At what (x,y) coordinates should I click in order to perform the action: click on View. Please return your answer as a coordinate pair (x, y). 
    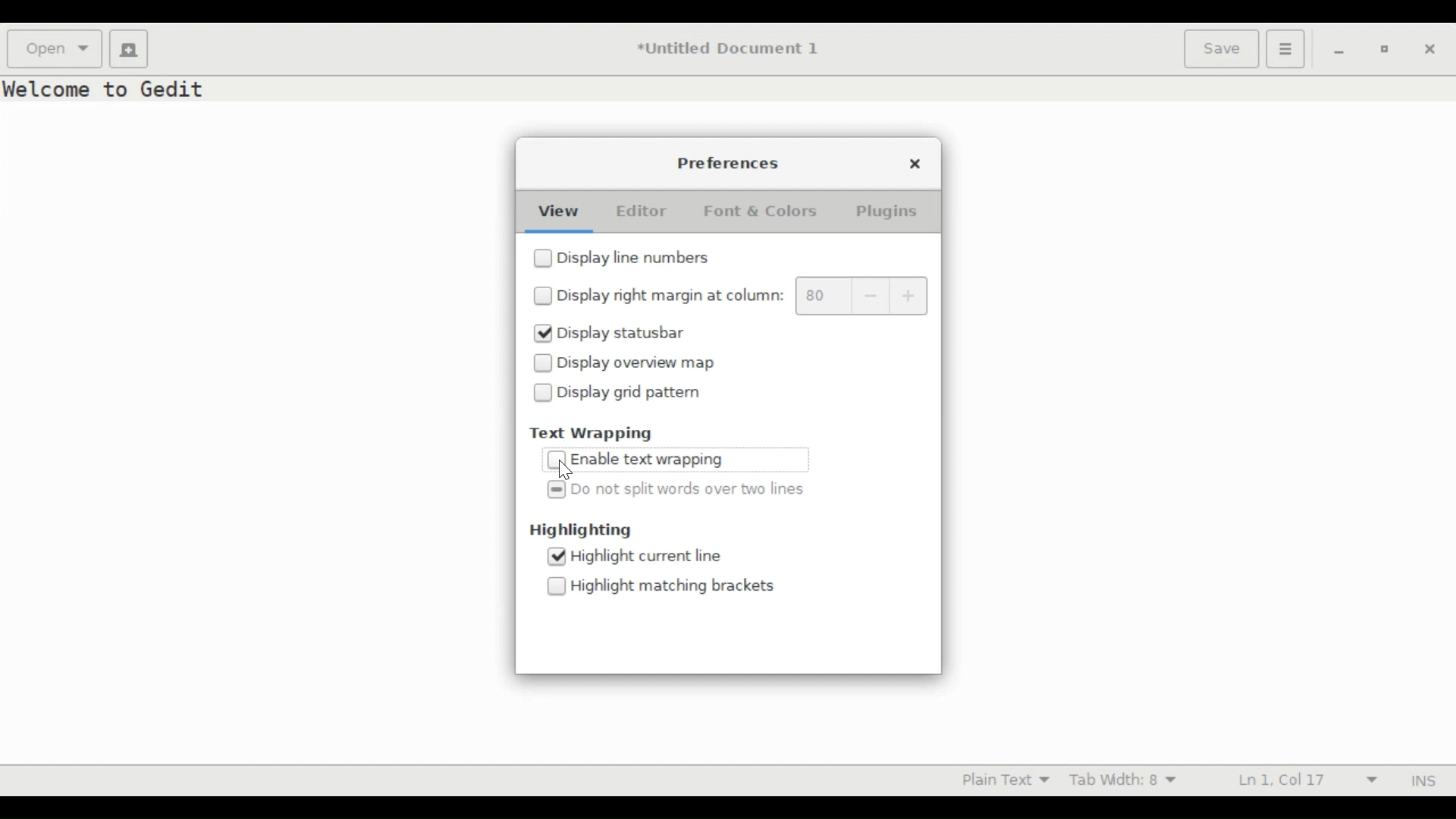
    Looking at the image, I should click on (557, 212).